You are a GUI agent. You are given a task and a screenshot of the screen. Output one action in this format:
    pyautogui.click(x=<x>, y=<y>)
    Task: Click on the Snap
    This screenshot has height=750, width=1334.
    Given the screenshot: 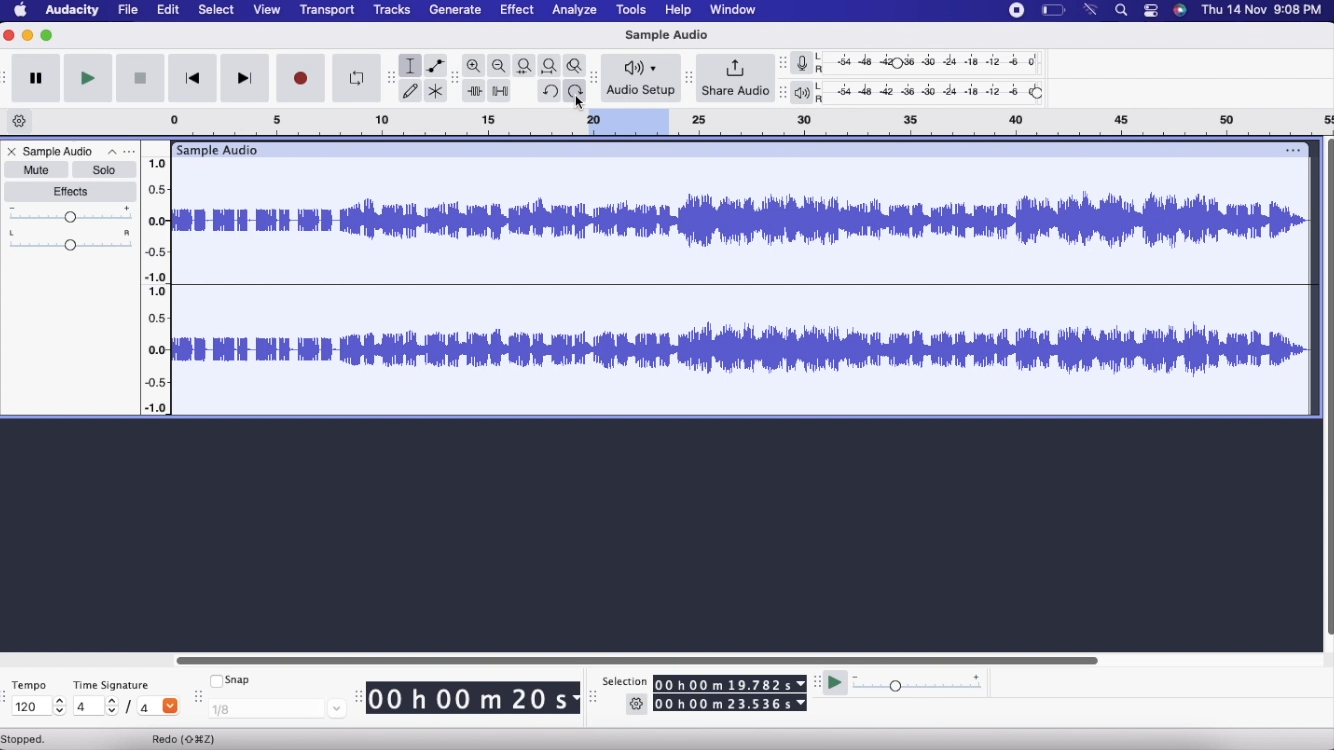 What is the action you would take?
    pyautogui.click(x=233, y=680)
    